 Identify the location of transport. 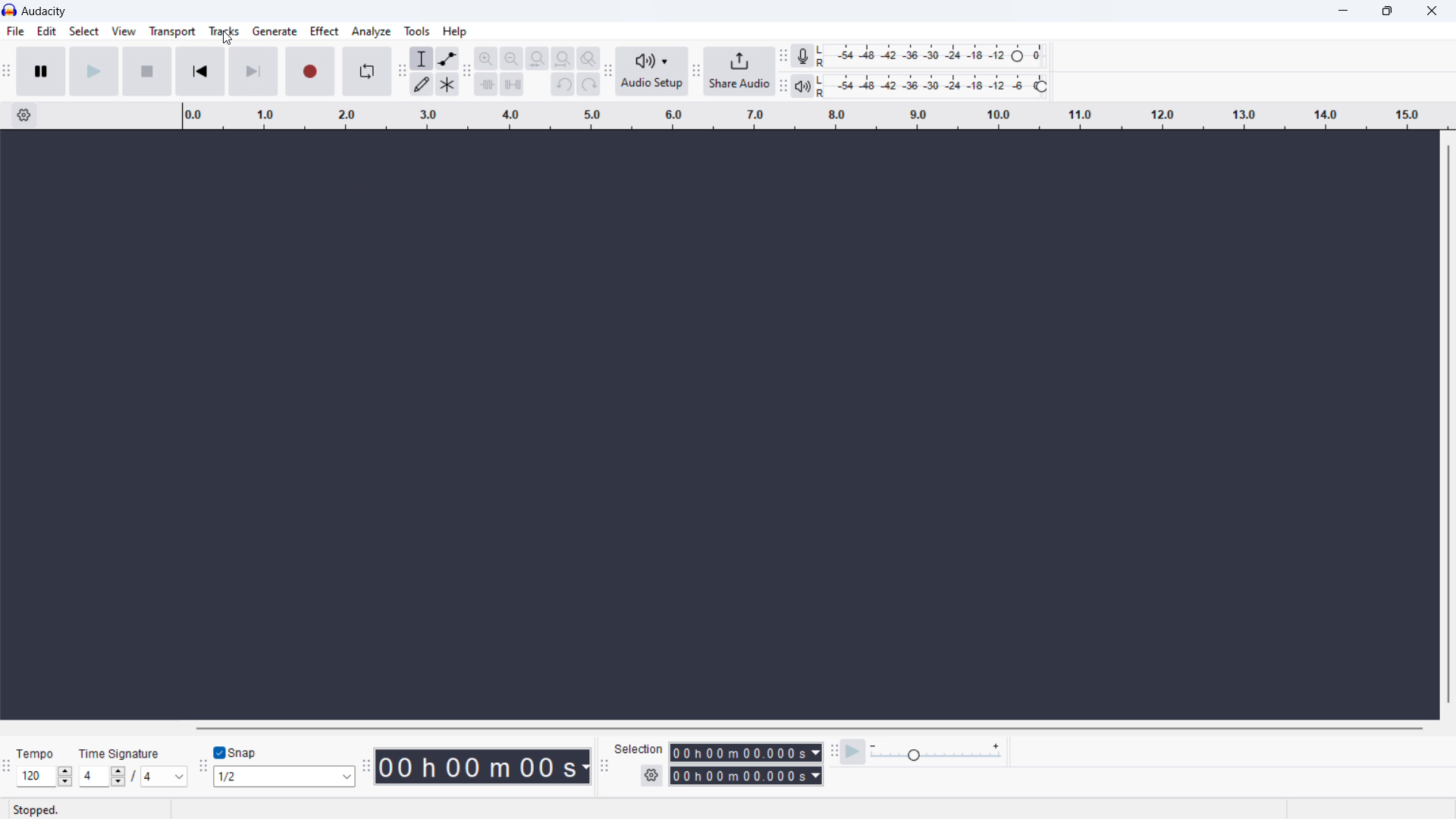
(173, 32).